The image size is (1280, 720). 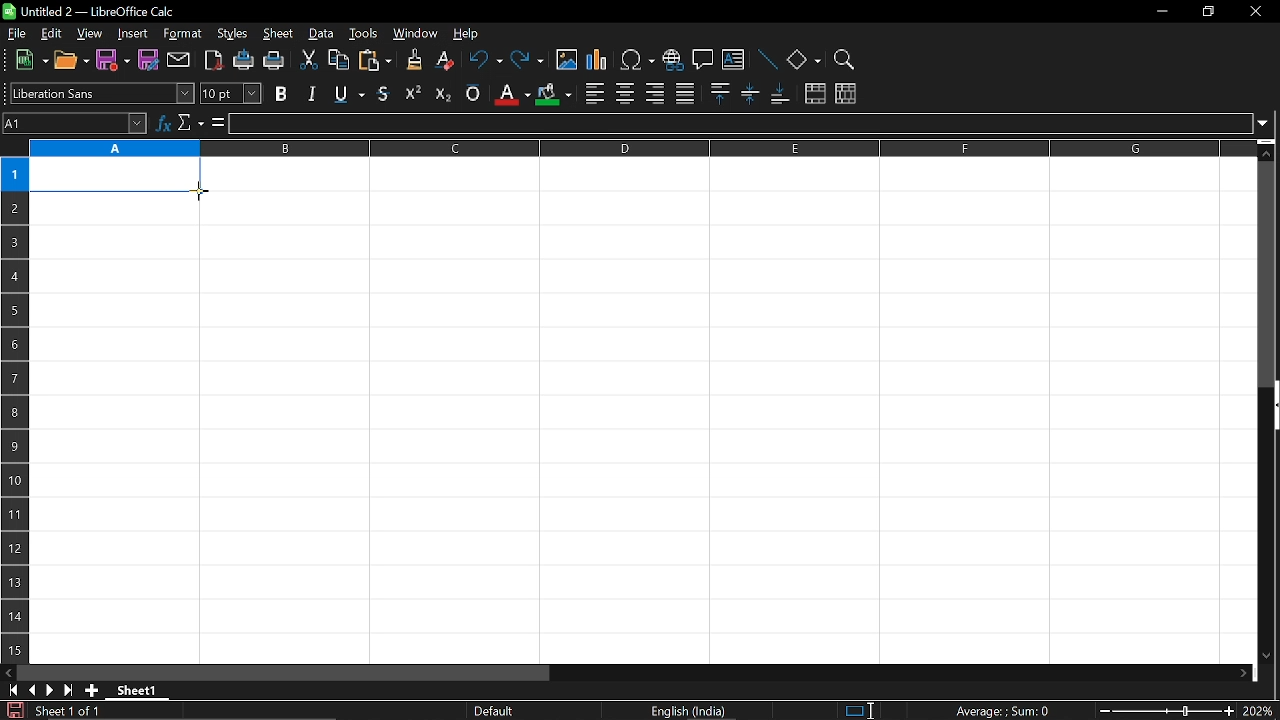 What do you see at coordinates (90, 11) in the screenshot?
I see `Untitled 2 - LibreOffice Calc` at bounding box center [90, 11].